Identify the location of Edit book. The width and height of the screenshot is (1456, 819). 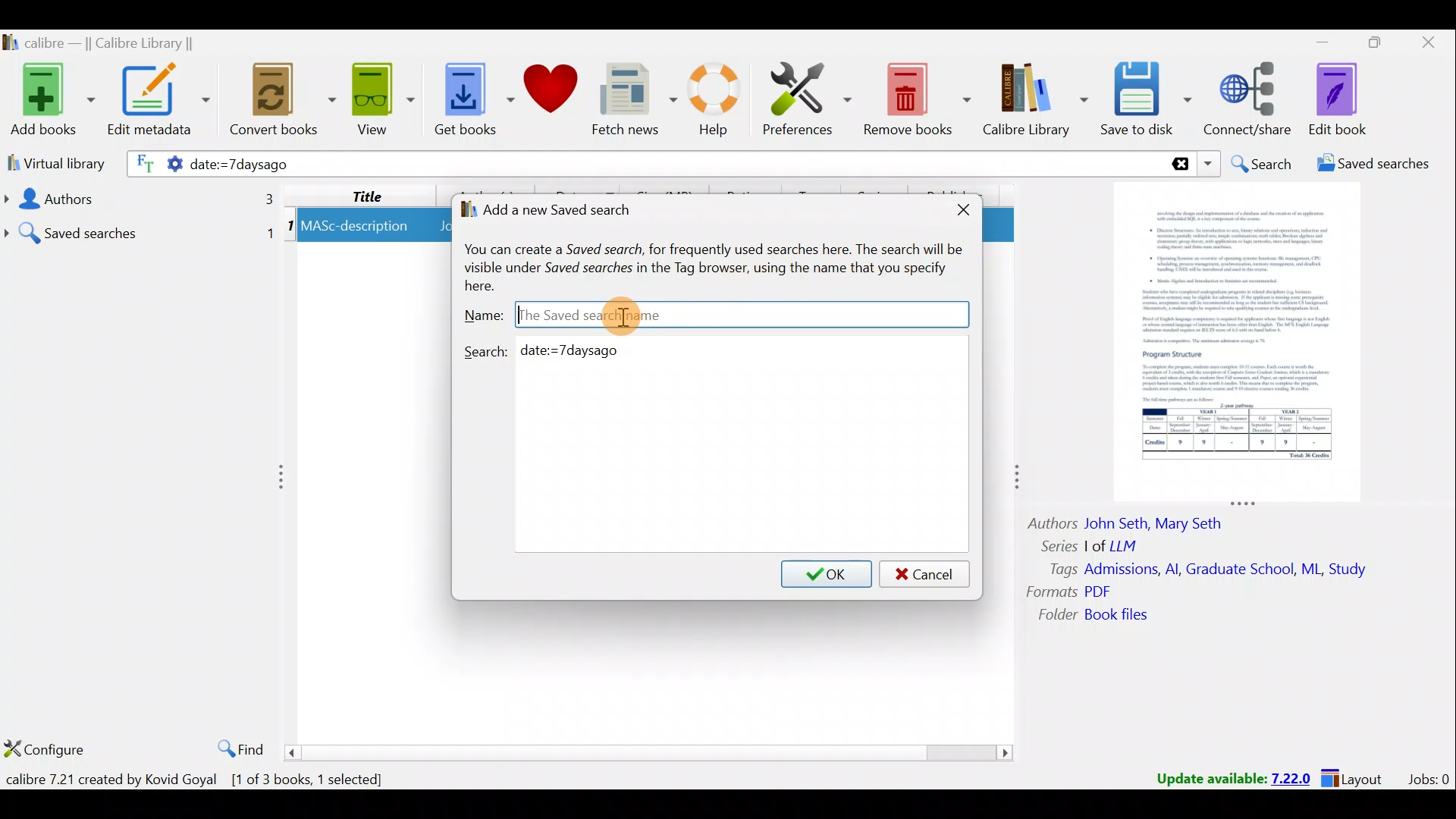
(1350, 99).